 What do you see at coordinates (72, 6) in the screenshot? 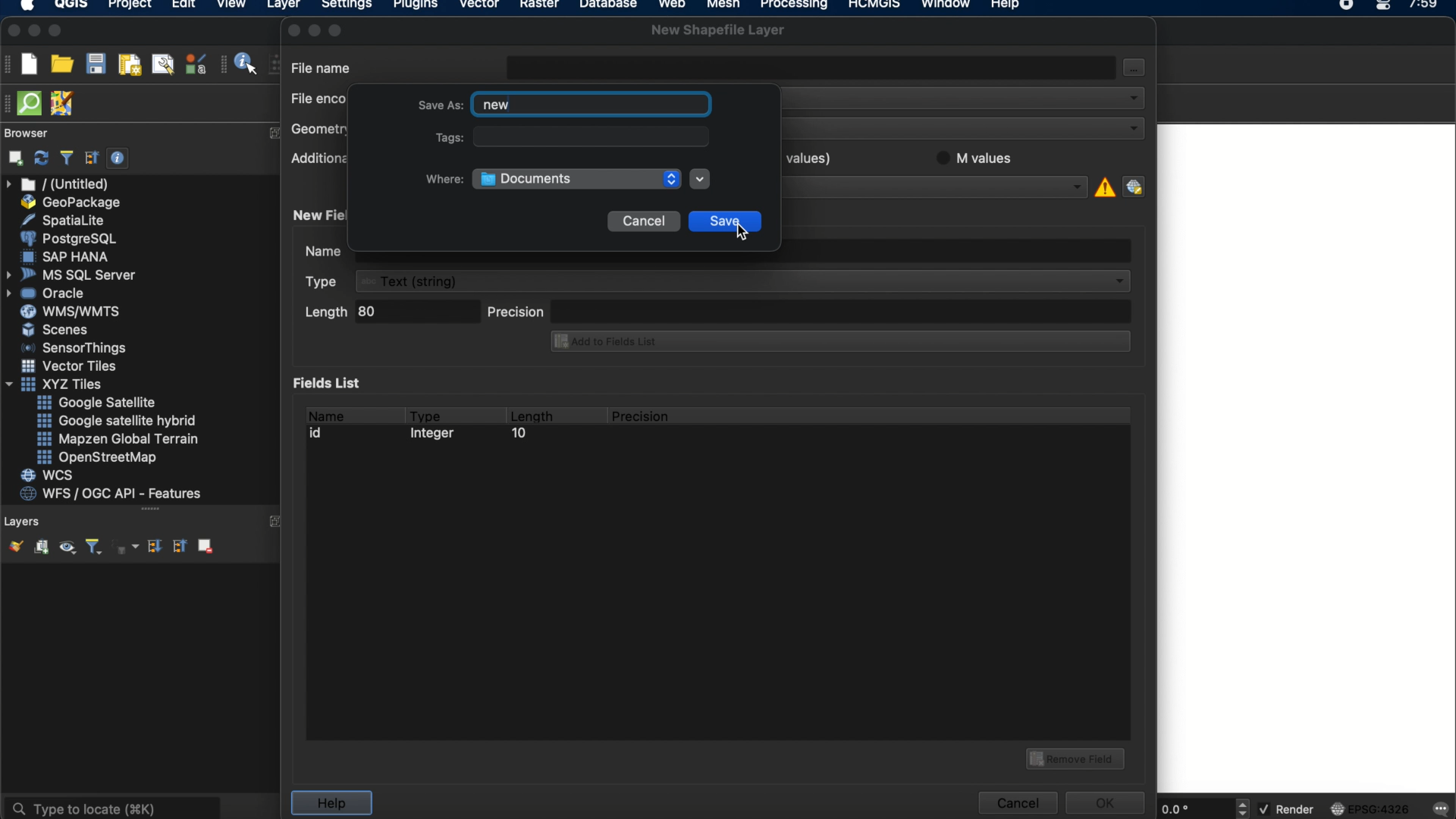
I see `QGIS` at bounding box center [72, 6].